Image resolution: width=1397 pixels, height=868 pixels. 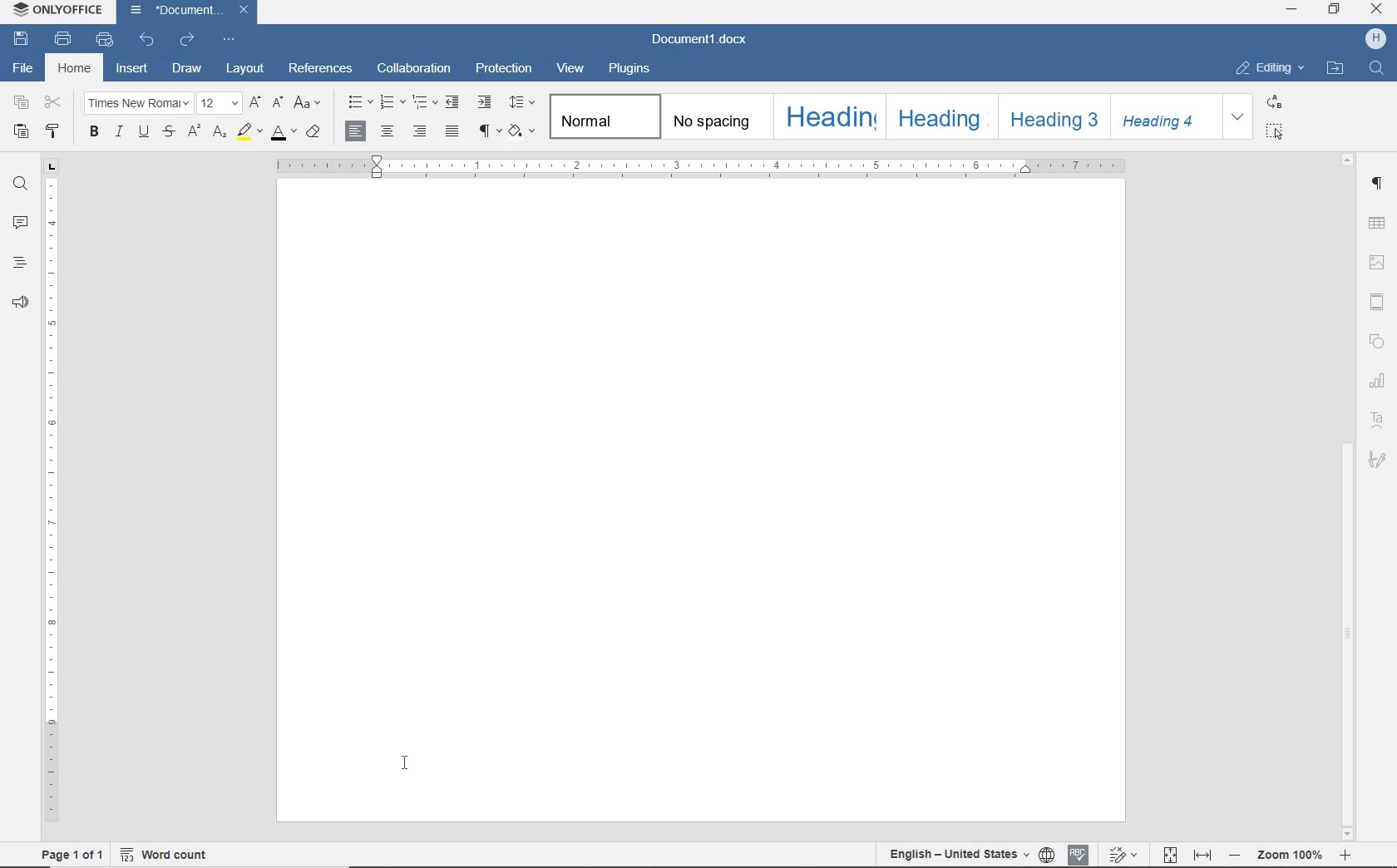 I want to click on insert, so click(x=130, y=69).